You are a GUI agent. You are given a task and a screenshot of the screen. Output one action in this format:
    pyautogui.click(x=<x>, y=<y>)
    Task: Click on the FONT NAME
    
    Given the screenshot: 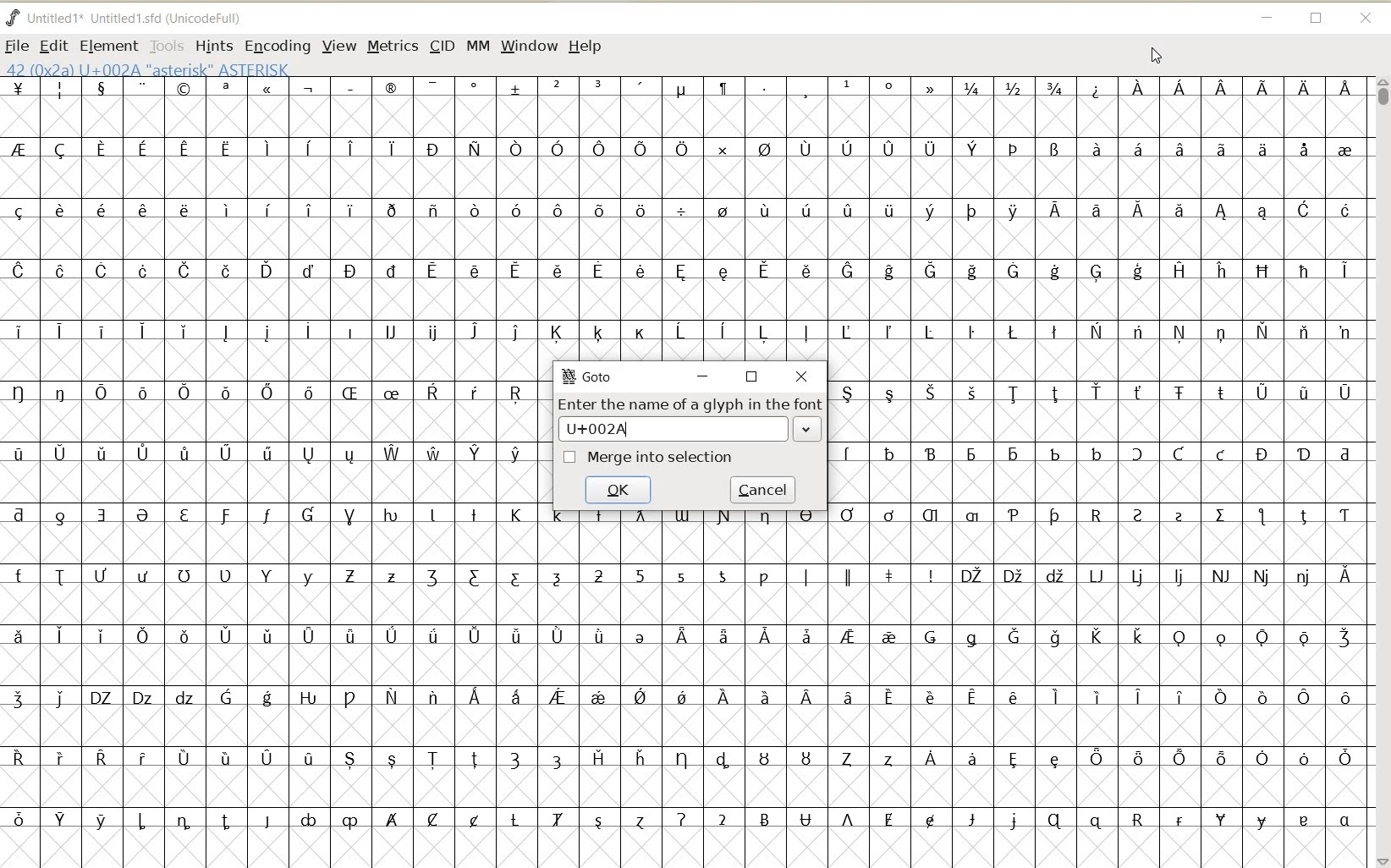 What is the action you would take?
    pyautogui.click(x=131, y=19)
    